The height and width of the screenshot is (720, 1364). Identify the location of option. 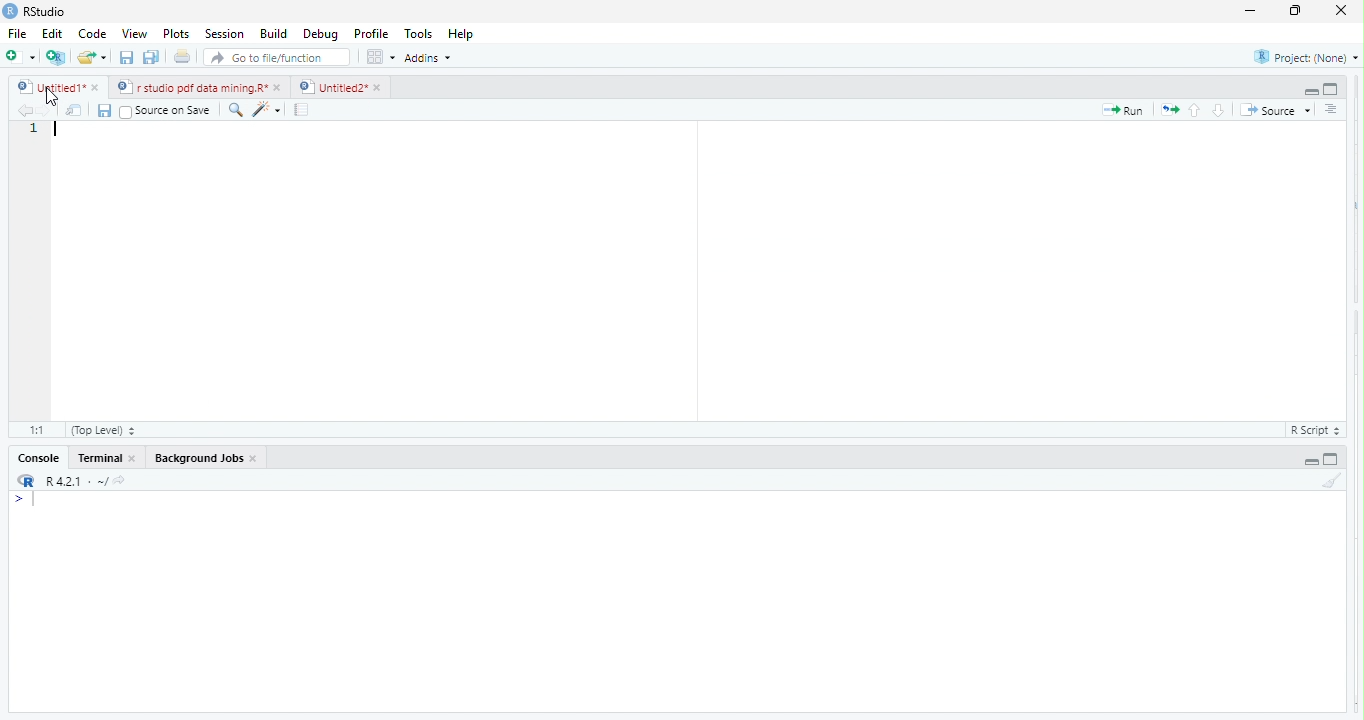
(380, 56).